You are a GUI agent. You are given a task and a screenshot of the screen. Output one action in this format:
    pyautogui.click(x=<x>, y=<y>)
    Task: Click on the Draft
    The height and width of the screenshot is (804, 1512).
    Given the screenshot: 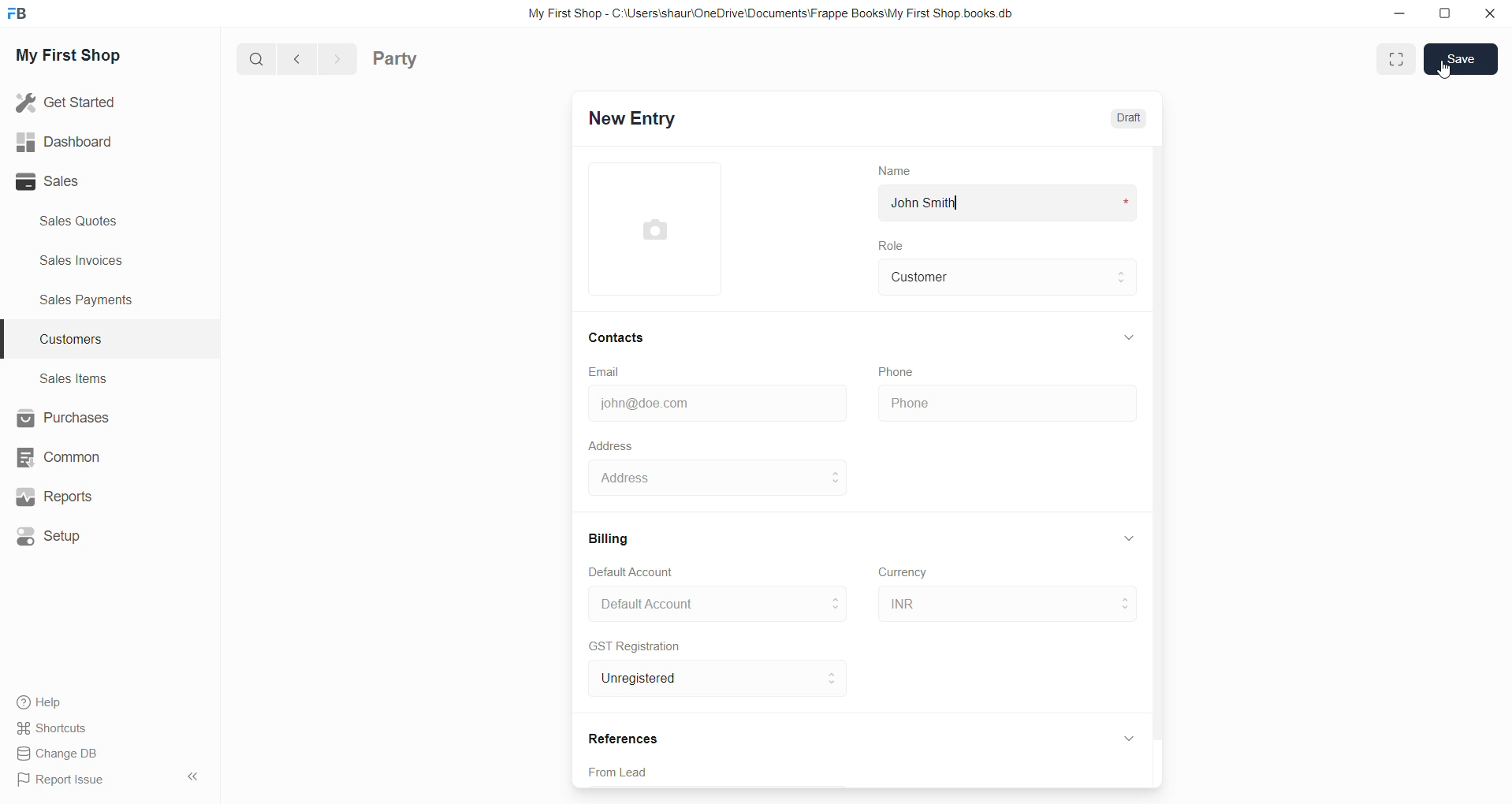 What is the action you would take?
    pyautogui.click(x=1134, y=119)
    